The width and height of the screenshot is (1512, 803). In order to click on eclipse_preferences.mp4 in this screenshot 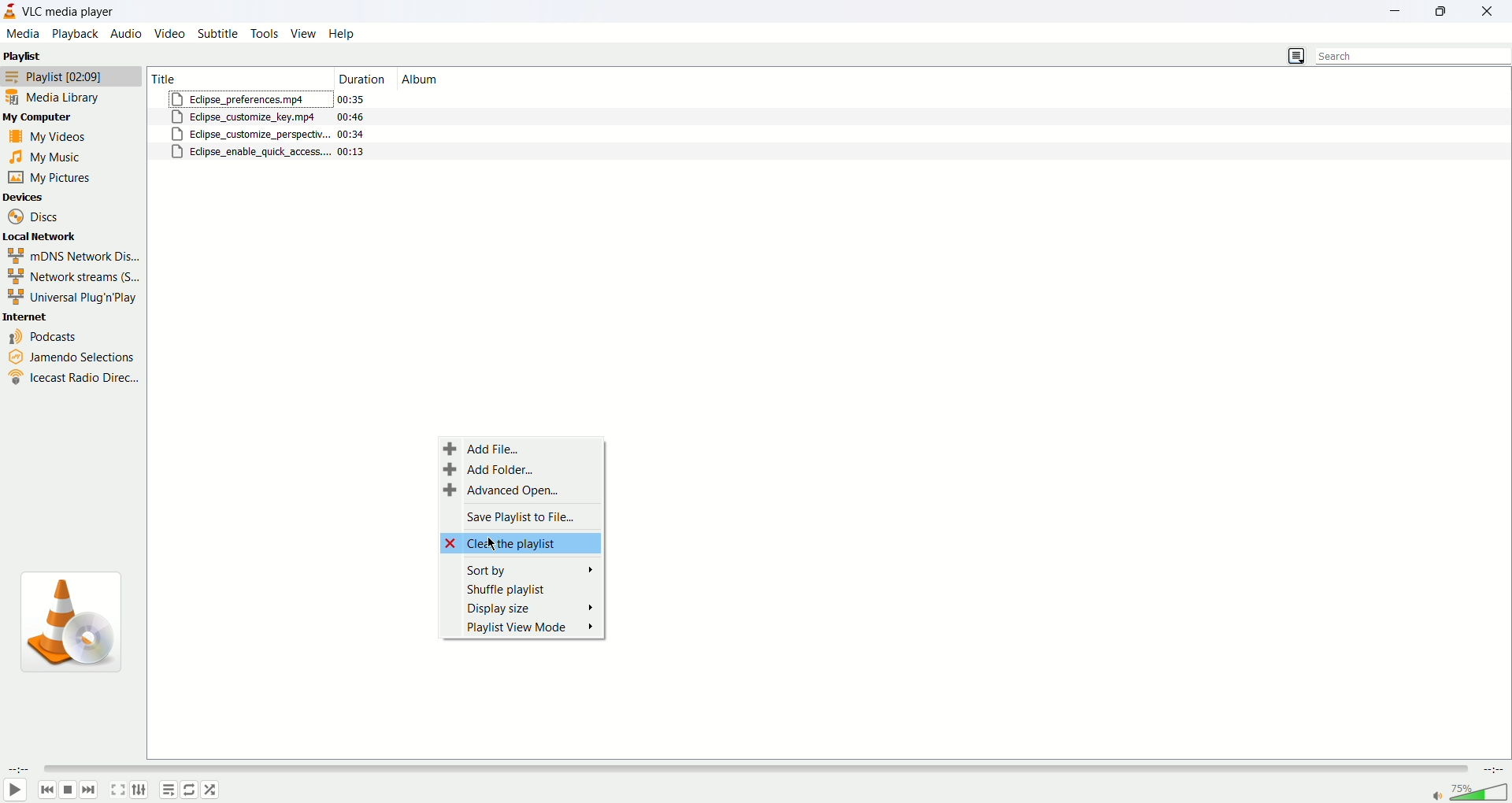, I will do `click(247, 99)`.